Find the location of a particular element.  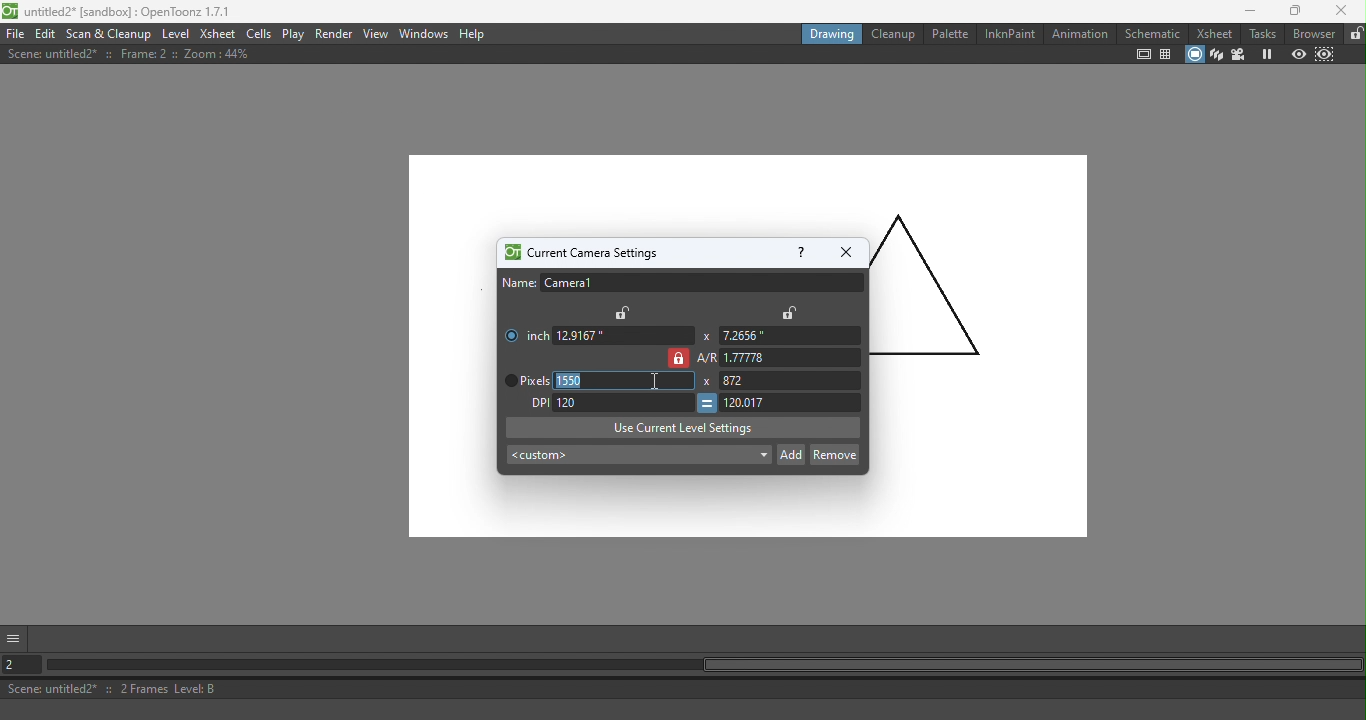

Enter pixel is located at coordinates (623, 401).